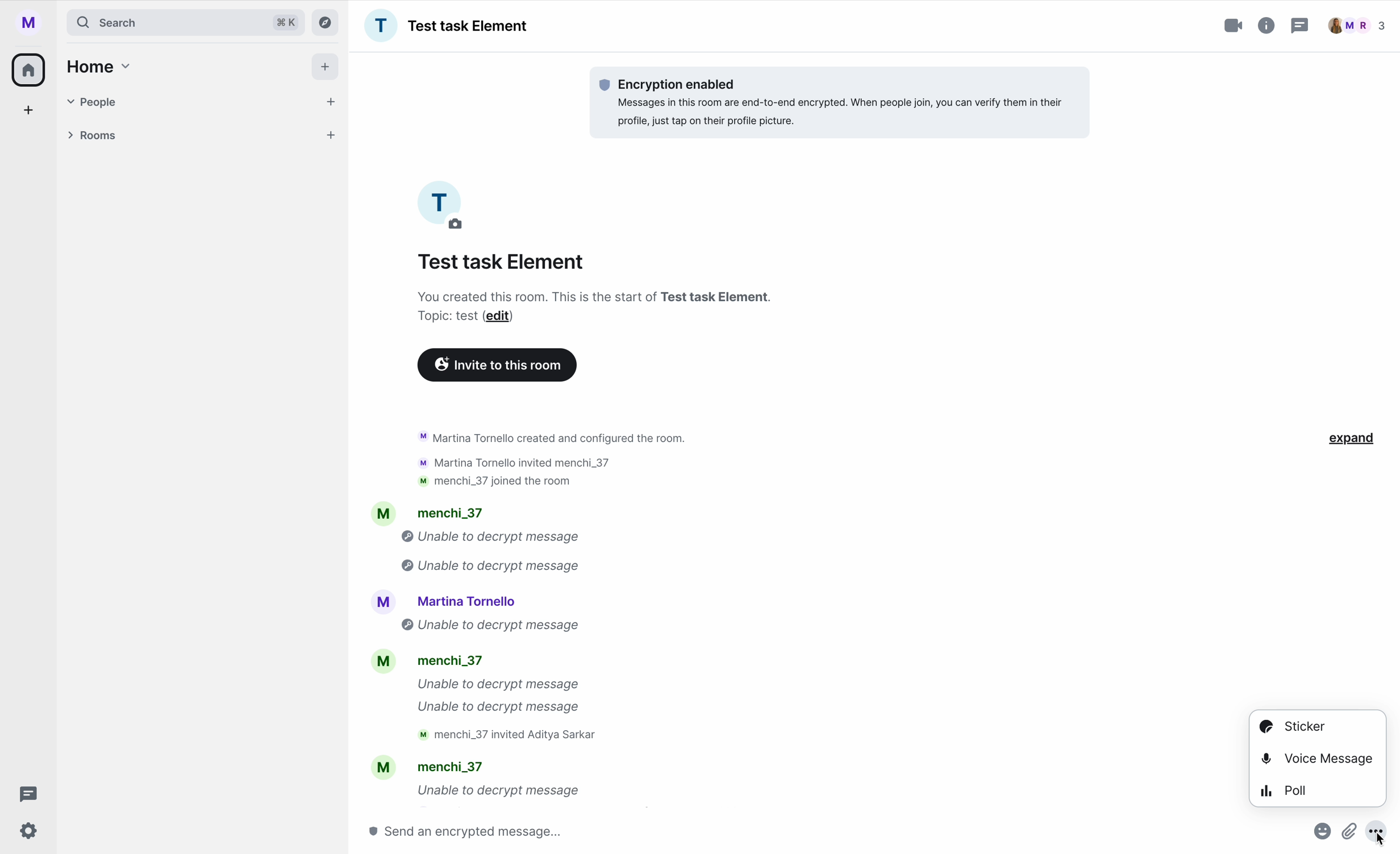 The height and width of the screenshot is (854, 1400). Describe the element at coordinates (843, 101) in the screenshot. I see `encryption enabled` at that location.